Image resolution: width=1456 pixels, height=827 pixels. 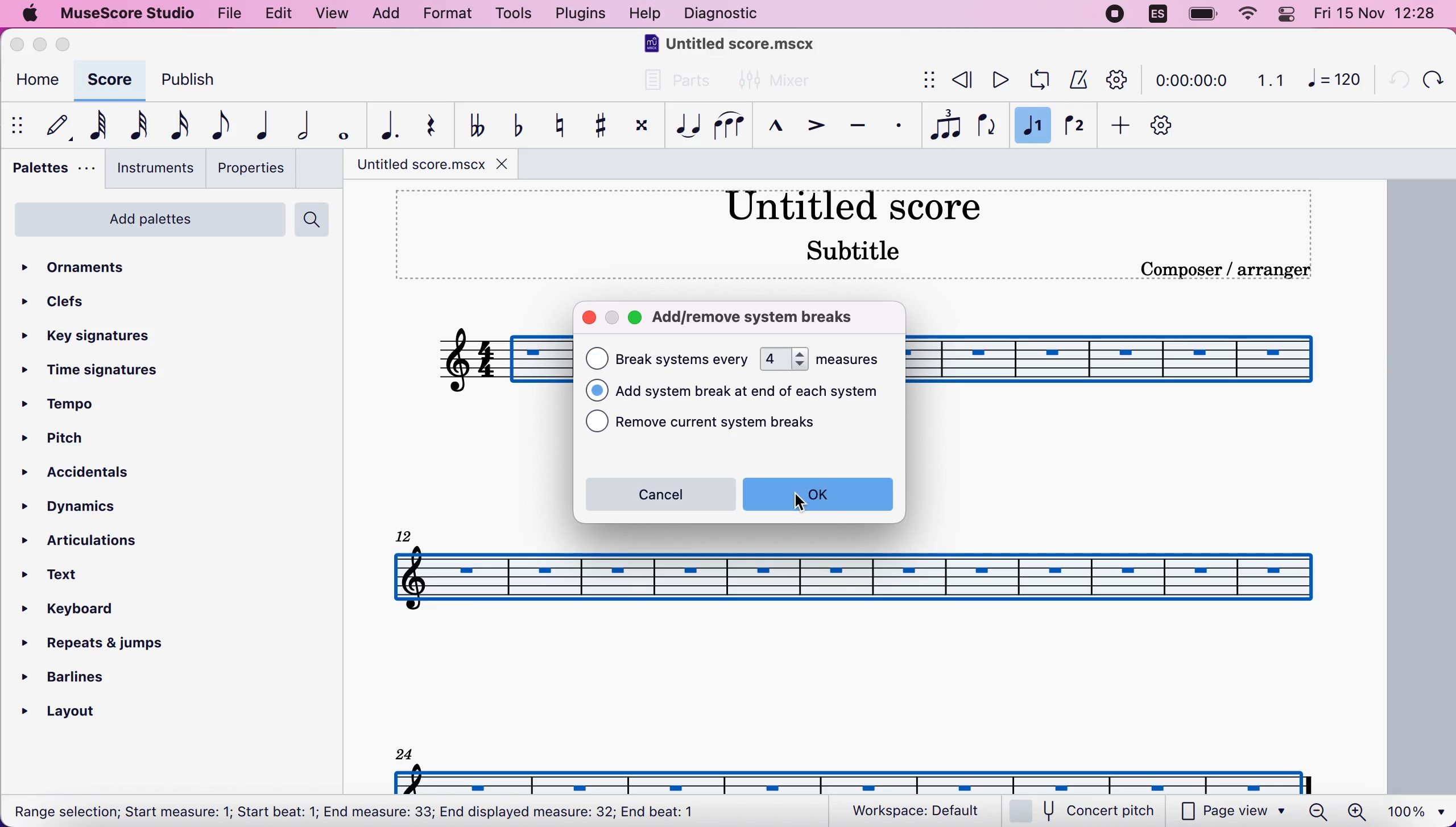 I want to click on time, so click(x=1189, y=82).